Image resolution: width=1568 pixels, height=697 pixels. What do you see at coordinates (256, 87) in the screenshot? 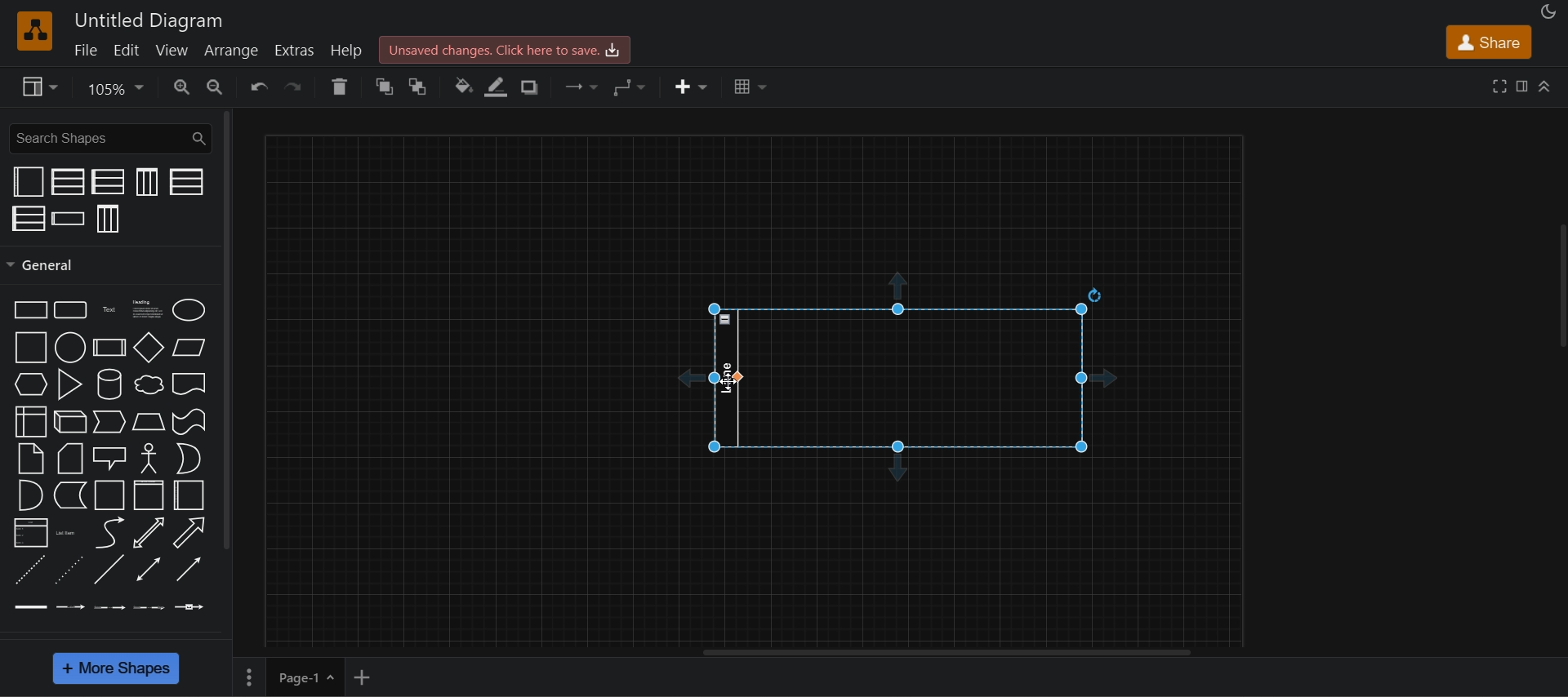
I see `undo` at bounding box center [256, 87].